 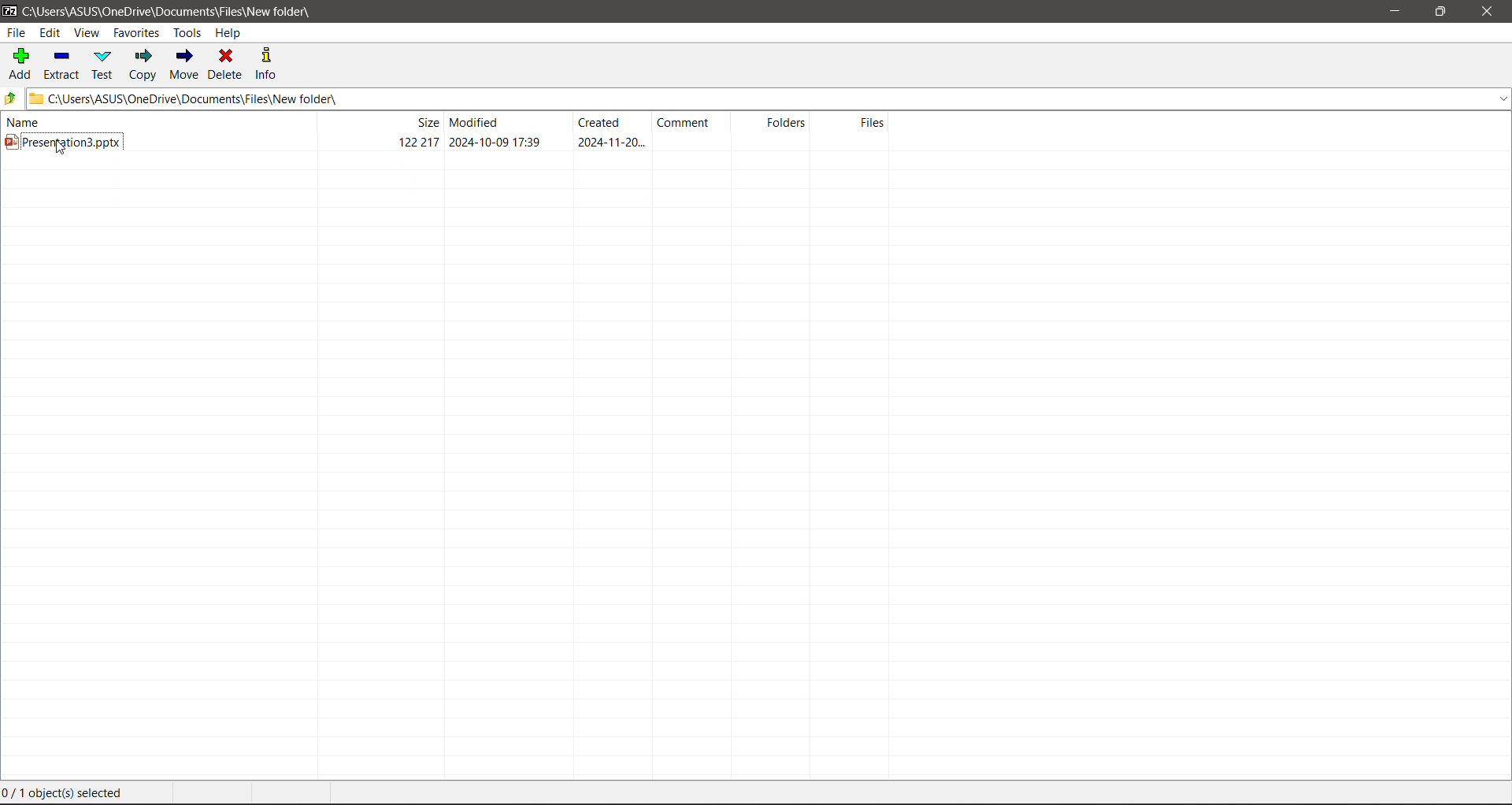 What do you see at coordinates (230, 34) in the screenshot?
I see `Help` at bounding box center [230, 34].